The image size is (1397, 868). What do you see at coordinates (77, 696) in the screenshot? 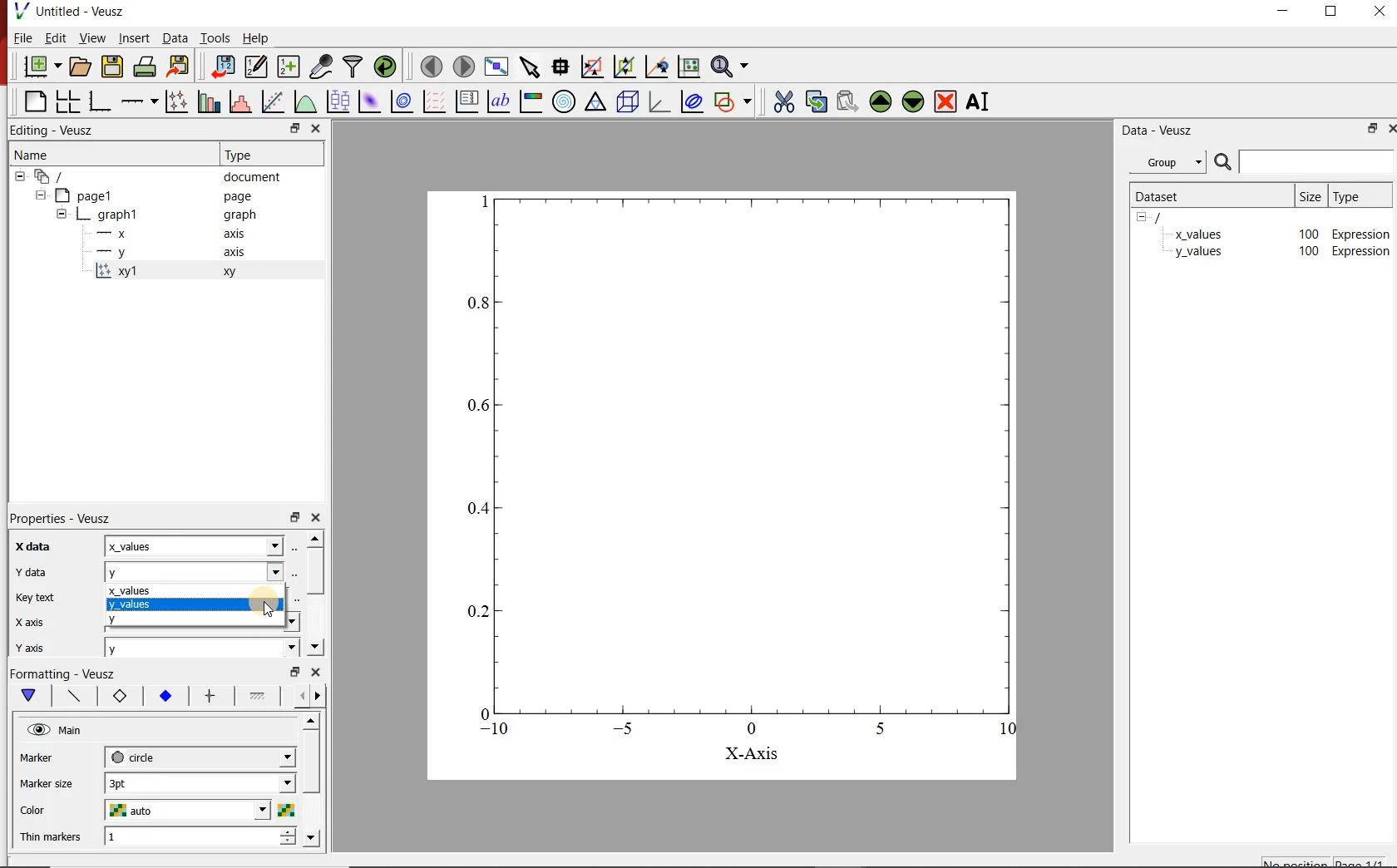
I see `plot line` at bounding box center [77, 696].